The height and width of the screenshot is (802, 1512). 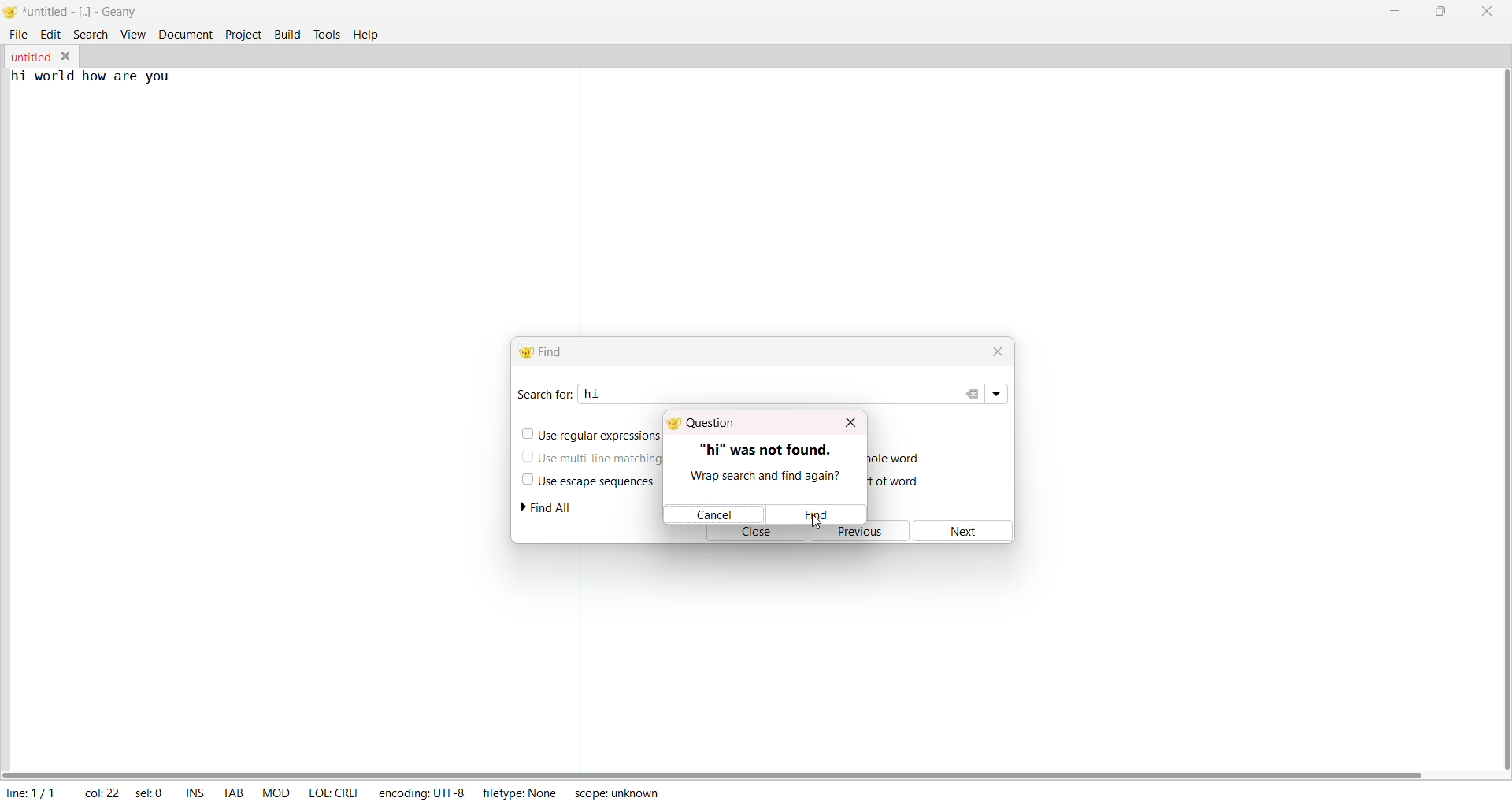 I want to click on edit, so click(x=47, y=33).